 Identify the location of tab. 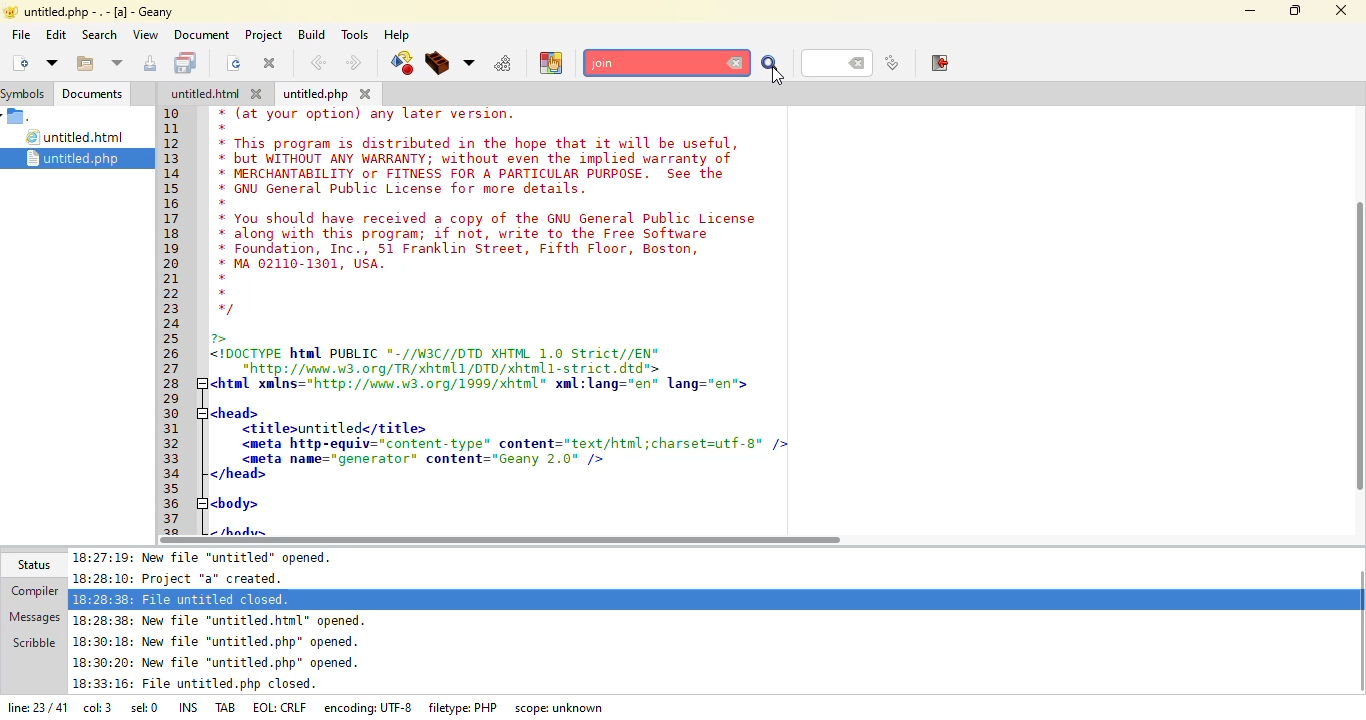
(227, 706).